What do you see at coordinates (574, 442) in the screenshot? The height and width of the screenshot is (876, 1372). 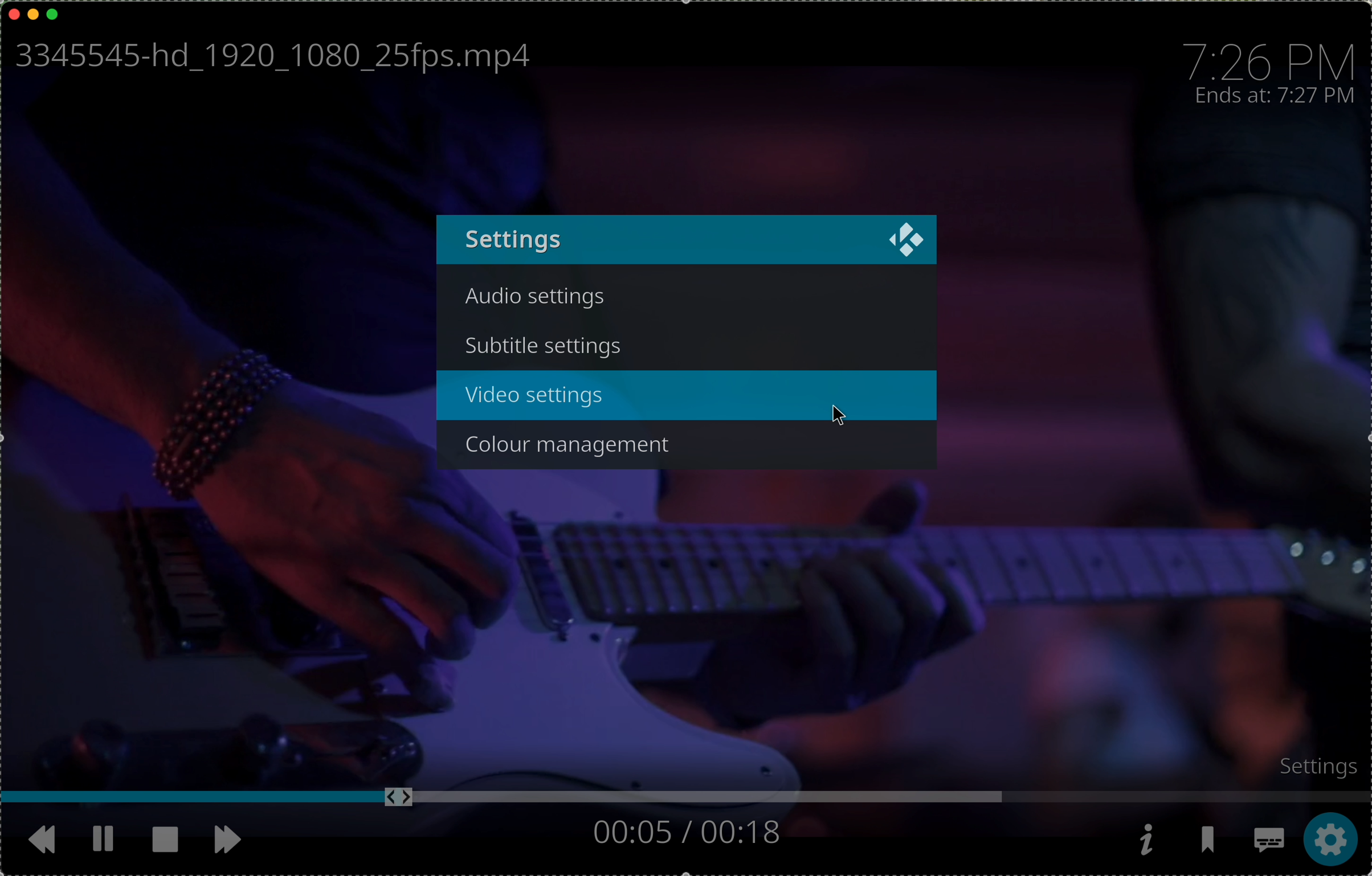 I see `colour management` at bounding box center [574, 442].